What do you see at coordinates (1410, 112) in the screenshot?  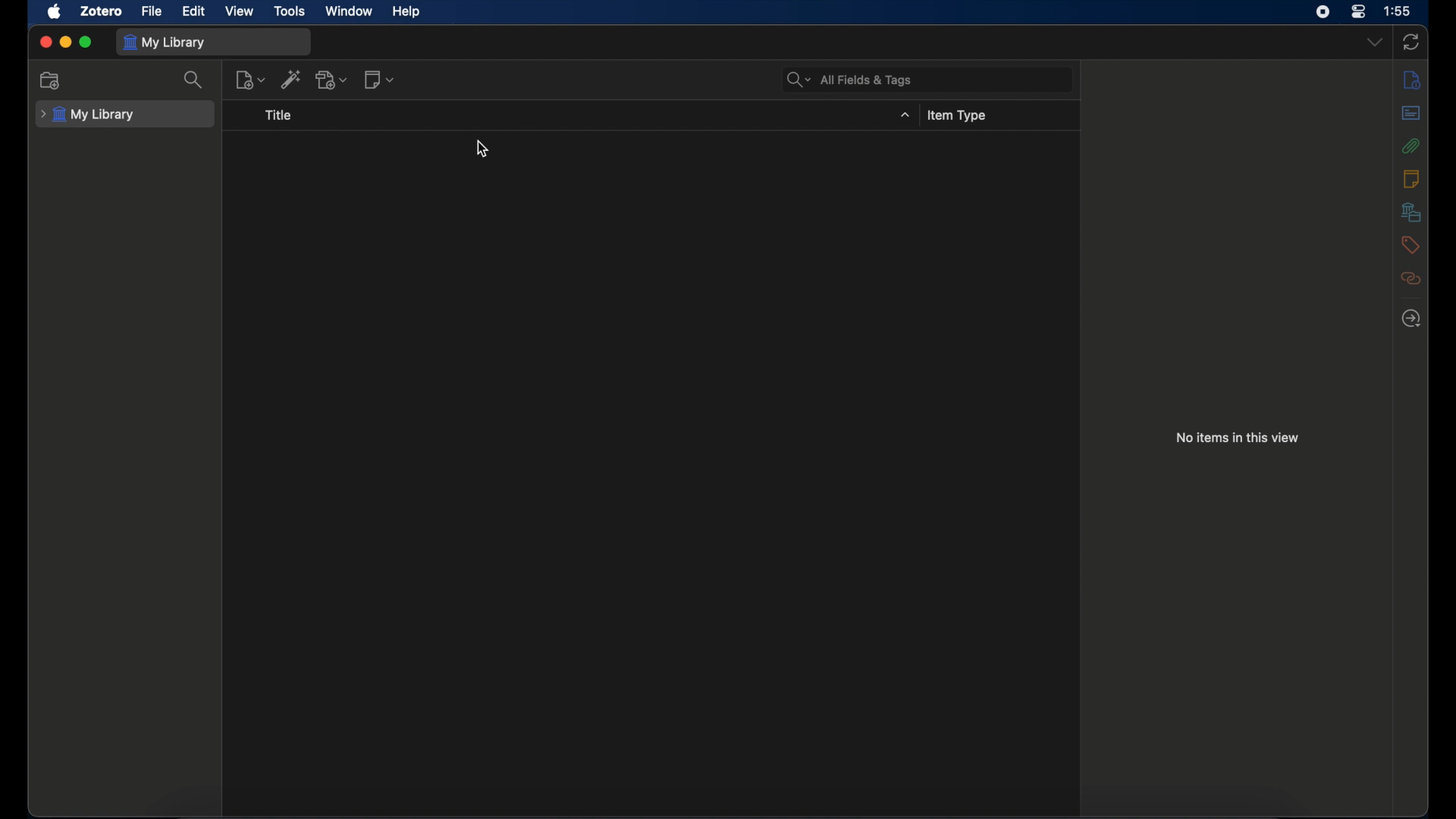 I see `abstracts` at bounding box center [1410, 112].